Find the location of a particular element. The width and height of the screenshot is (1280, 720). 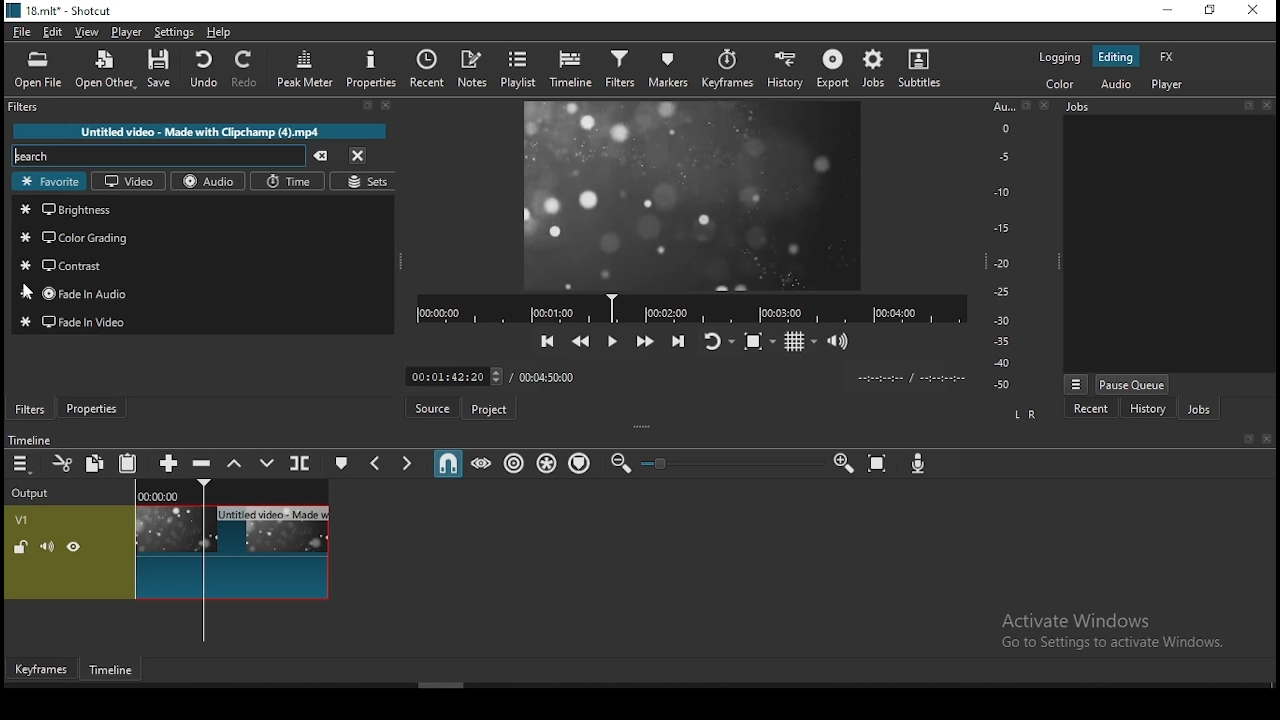

Audio Level is located at coordinates (1009, 246).